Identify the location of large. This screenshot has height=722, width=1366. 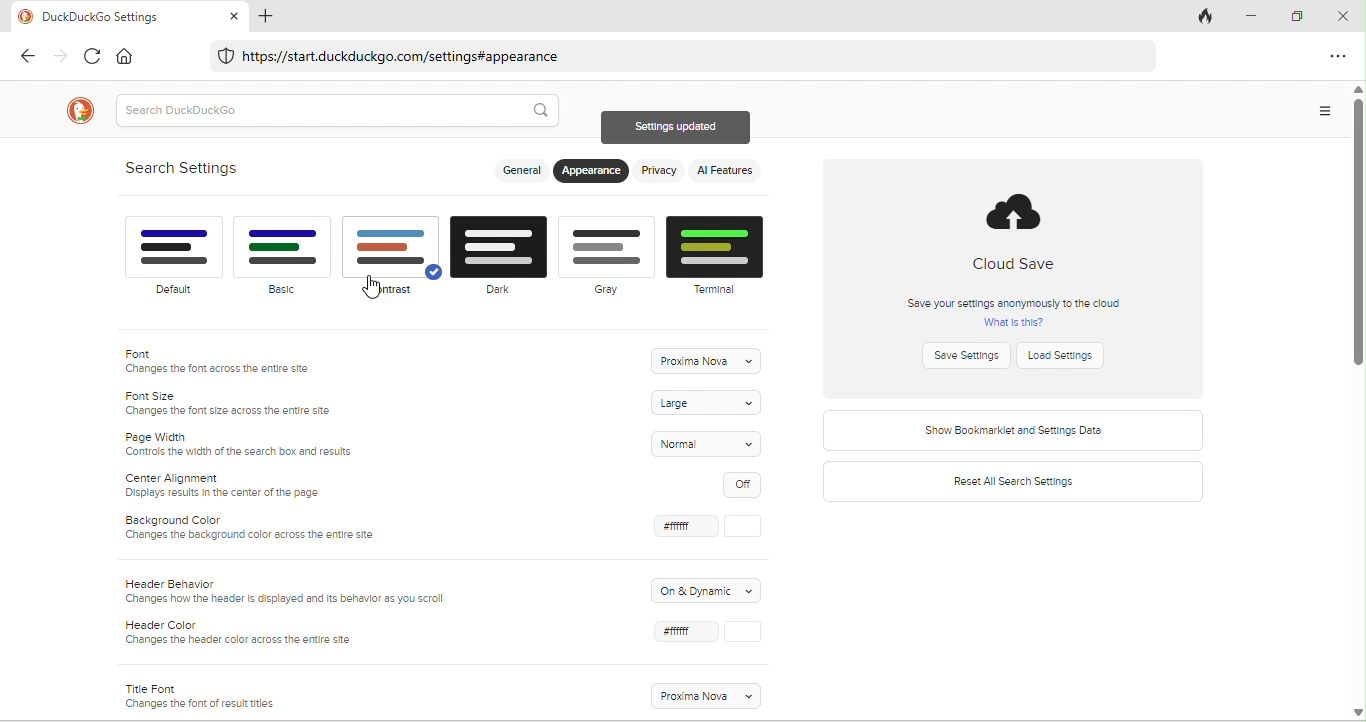
(709, 403).